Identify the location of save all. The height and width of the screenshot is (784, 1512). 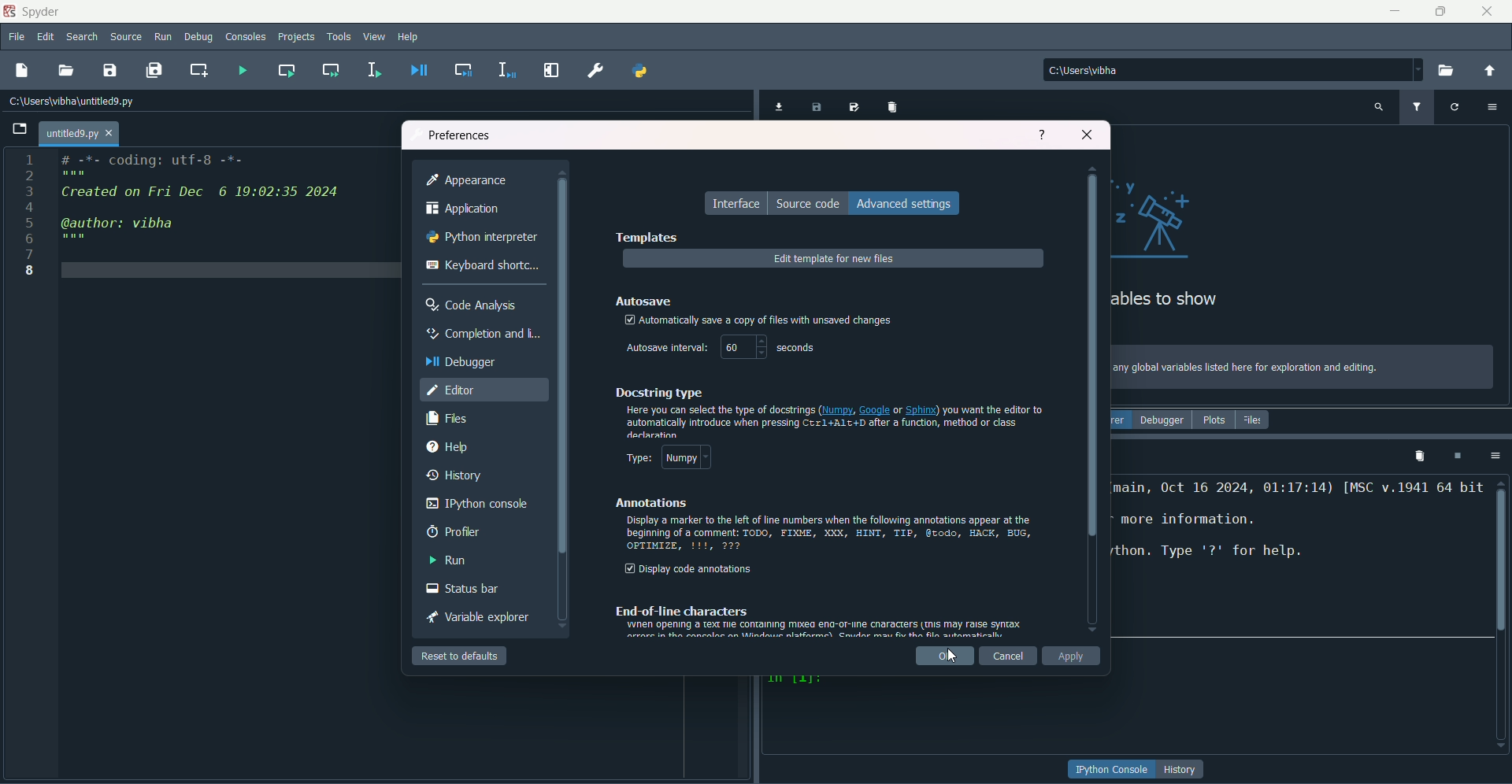
(154, 70).